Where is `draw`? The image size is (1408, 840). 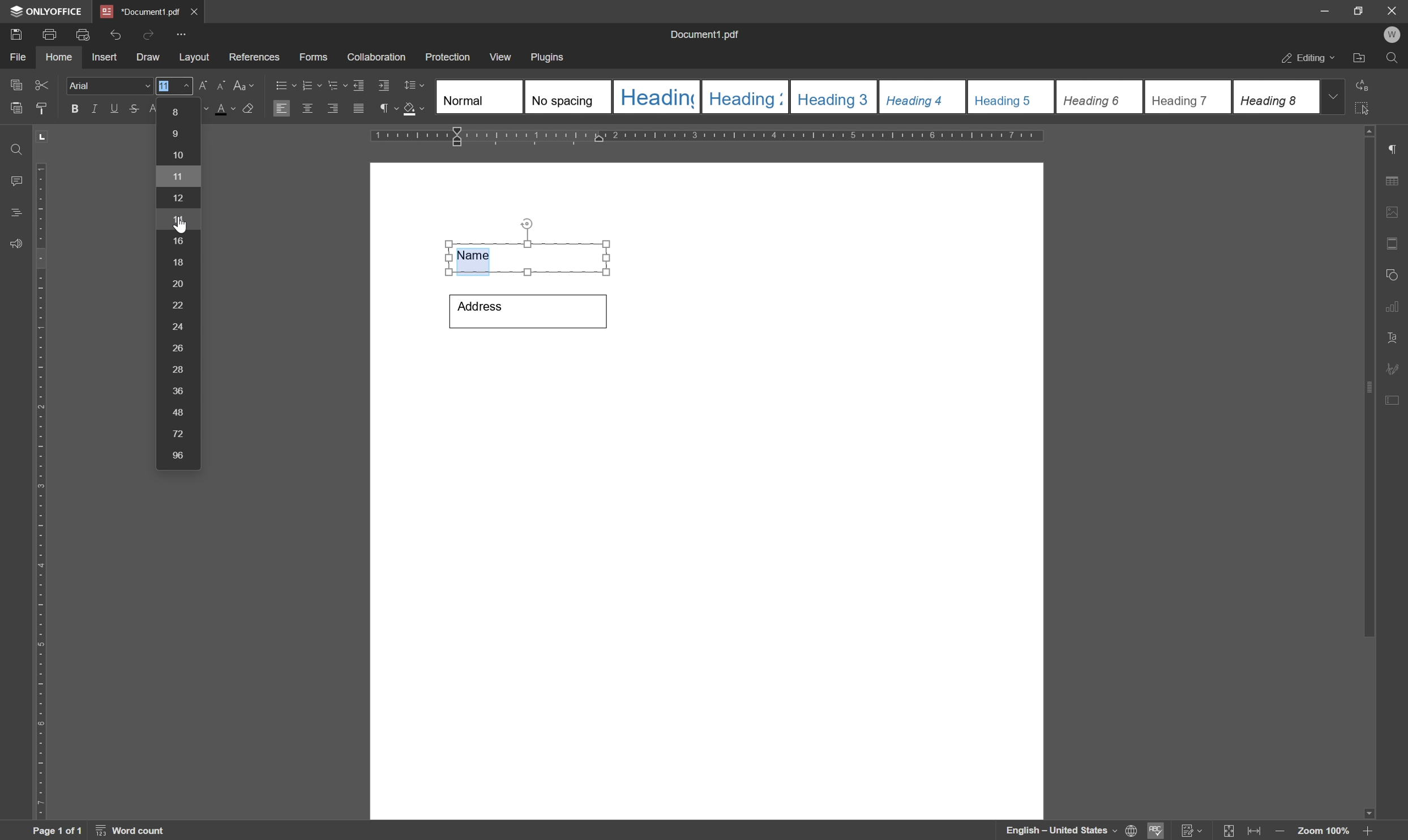 draw is located at coordinates (148, 58).